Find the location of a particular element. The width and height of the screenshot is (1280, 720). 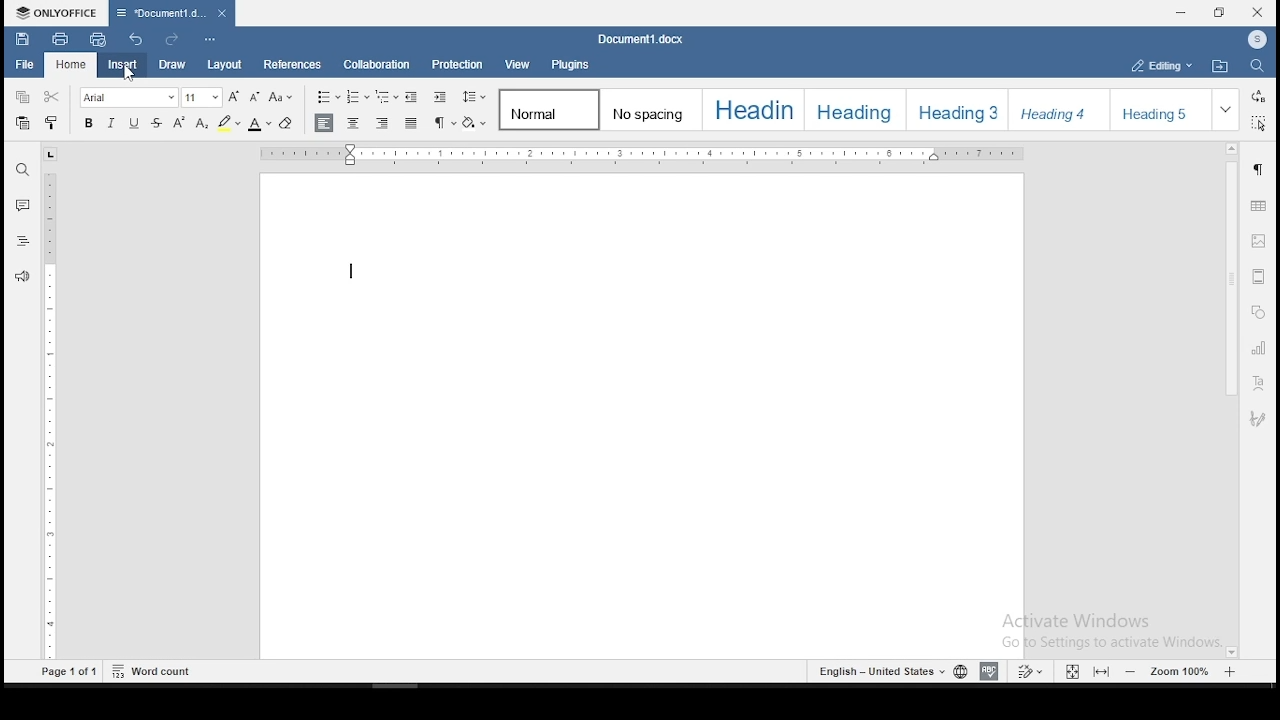

text editor is located at coordinates (352, 271).